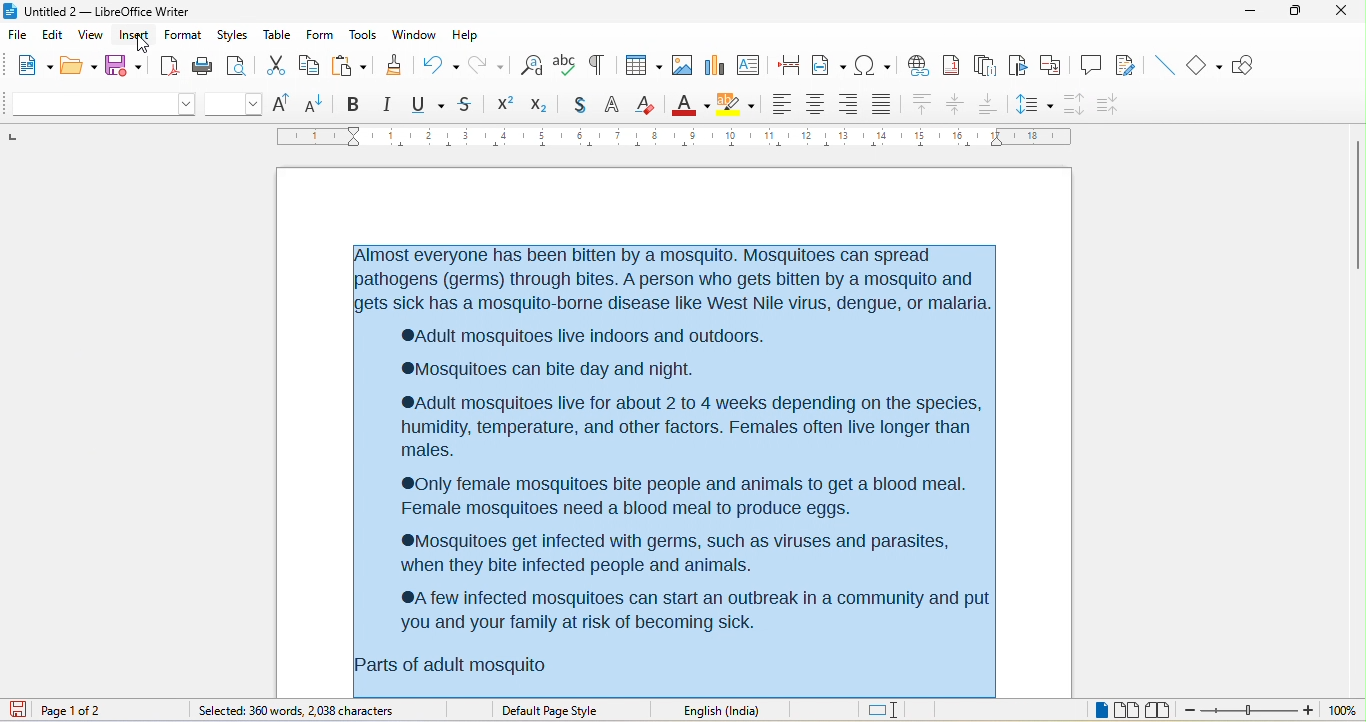 The image size is (1366, 722). Describe the element at coordinates (1246, 13) in the screenshot. I see `minimize` at that location.